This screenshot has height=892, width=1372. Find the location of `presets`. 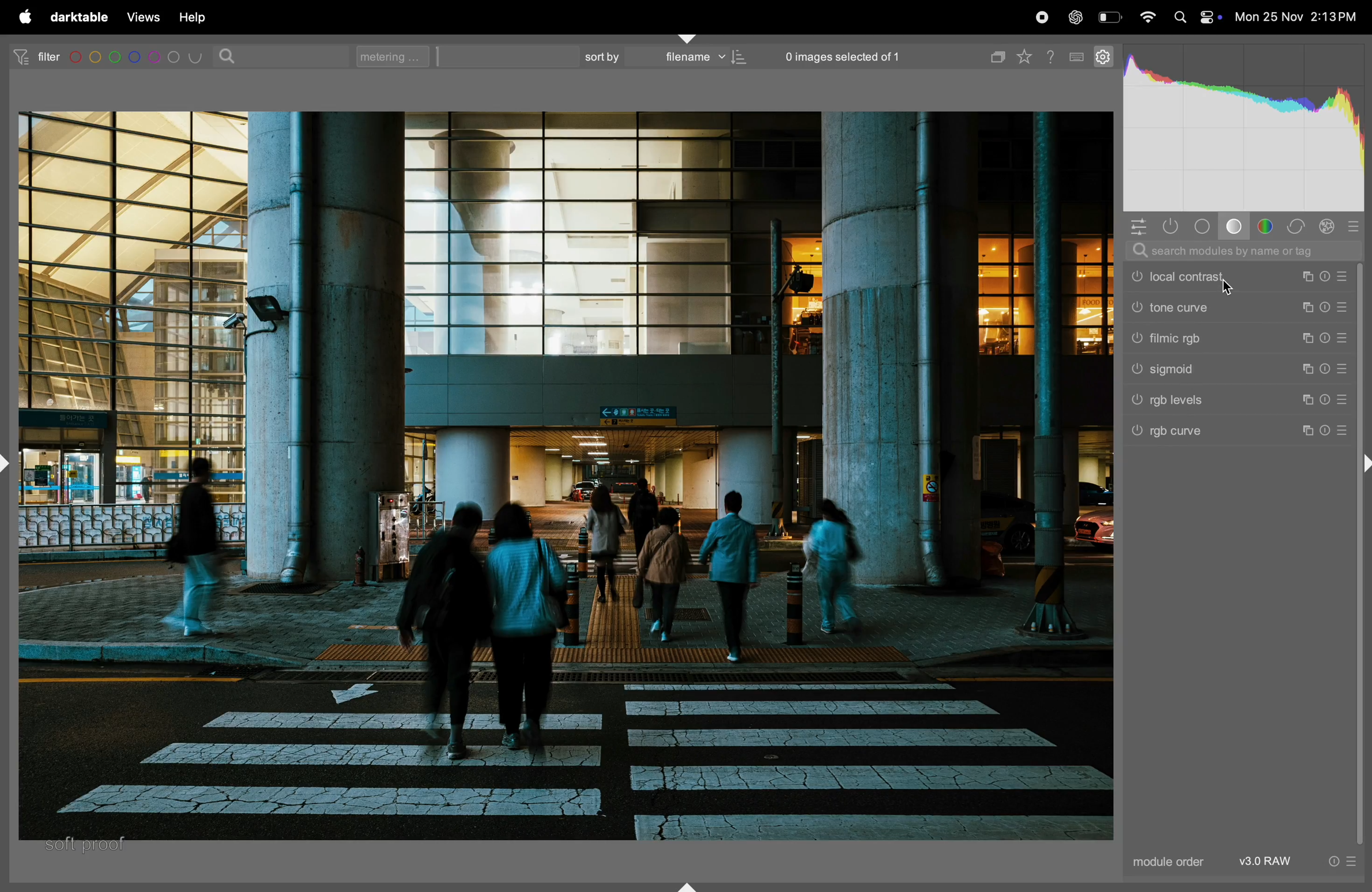

presets is located at coordinates (1355, 225).